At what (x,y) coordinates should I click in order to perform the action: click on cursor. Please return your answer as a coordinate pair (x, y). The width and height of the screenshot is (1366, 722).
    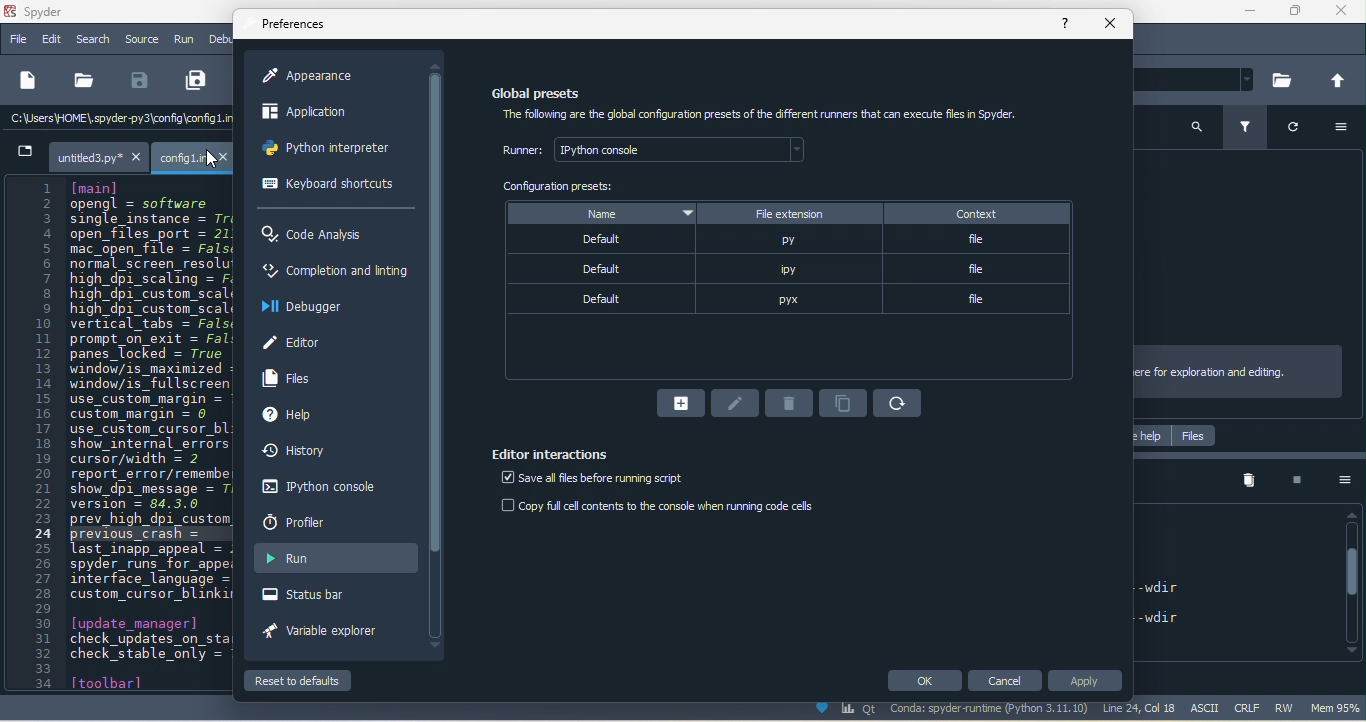
    Looking at the image, I should click on (211, 159).